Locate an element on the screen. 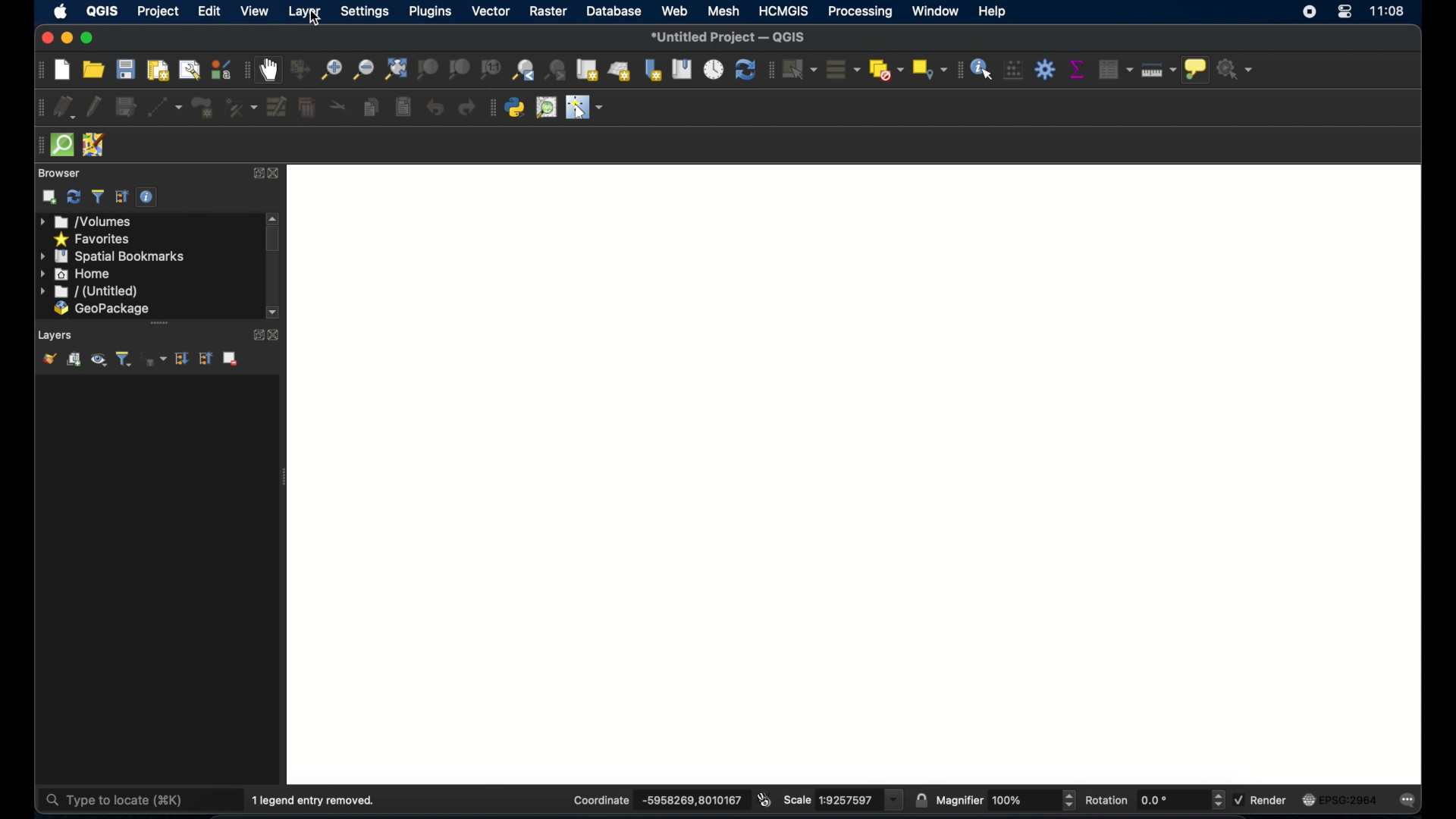 The width and height of the screenshot is (1456, 819). style manager is located at coordinates (220, 69).